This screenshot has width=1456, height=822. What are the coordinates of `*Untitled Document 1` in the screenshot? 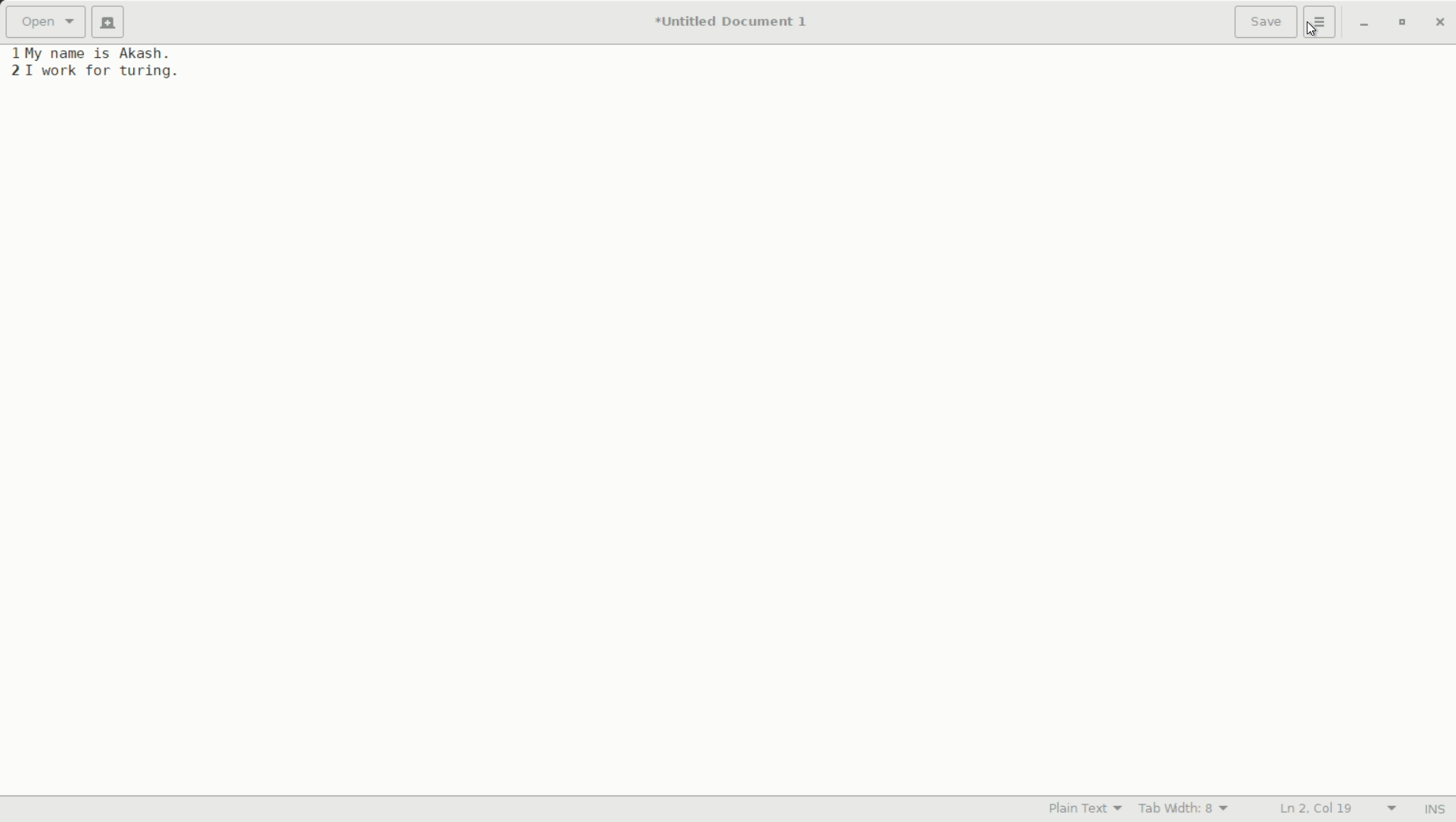 It's located at (734, 23).